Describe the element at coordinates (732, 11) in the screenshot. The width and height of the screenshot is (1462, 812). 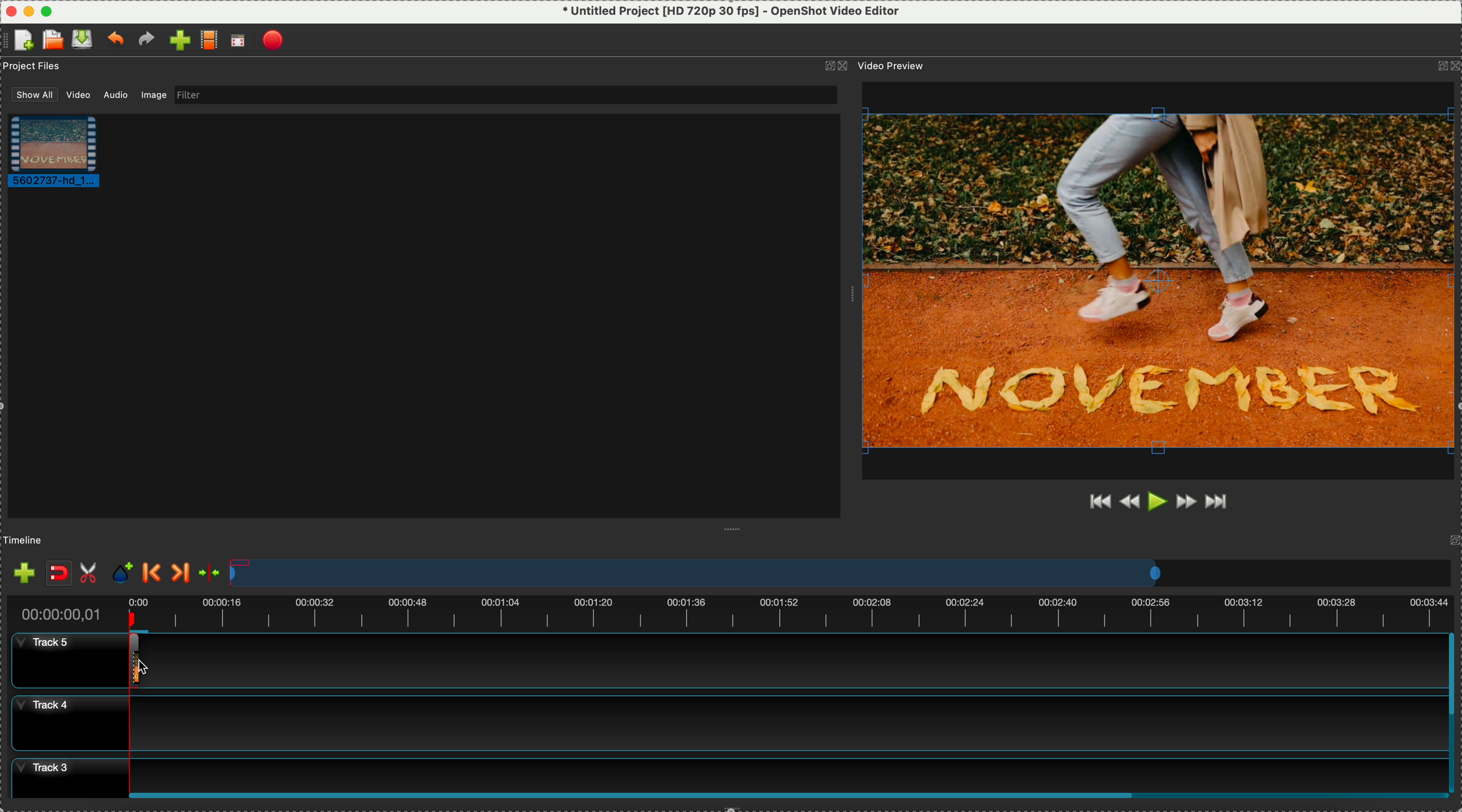
I see `* Untitled Project [HD 720p 30 fps] - OpenShot Video Editor` at that location.